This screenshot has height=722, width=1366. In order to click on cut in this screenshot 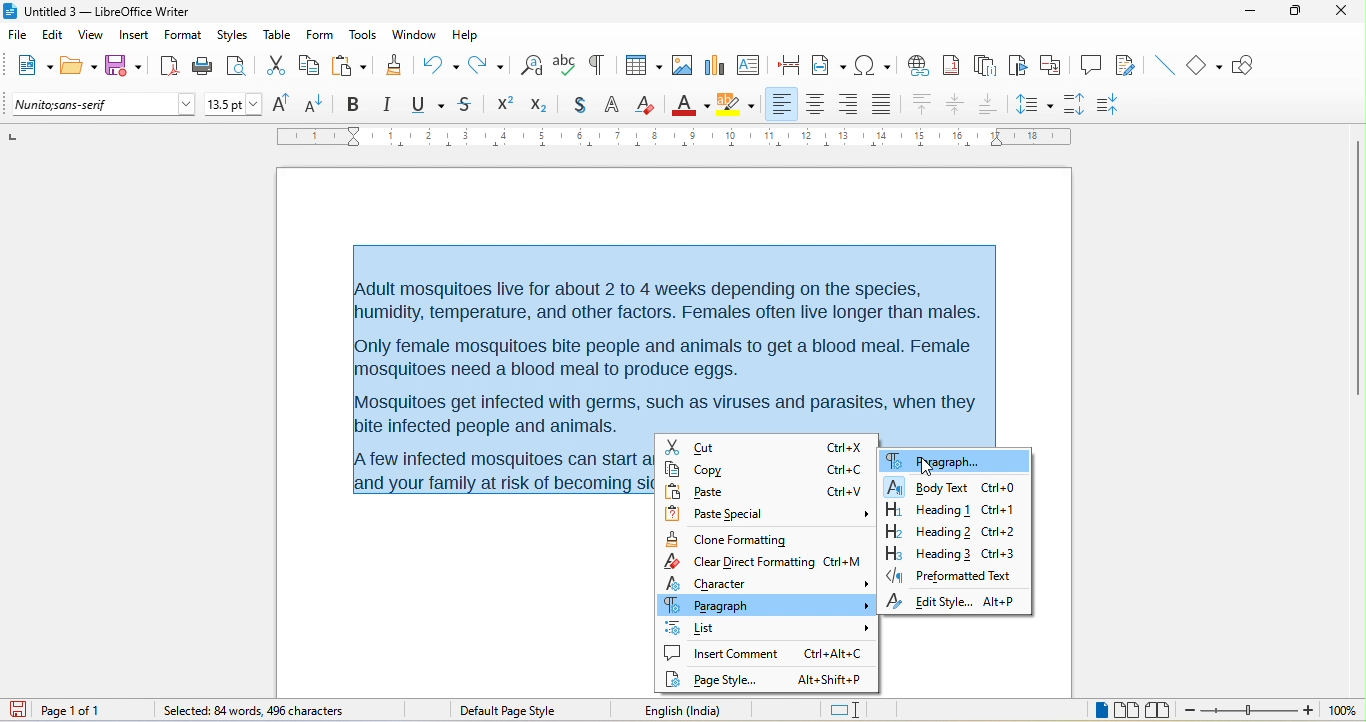, I will do `click(276, 67)`.